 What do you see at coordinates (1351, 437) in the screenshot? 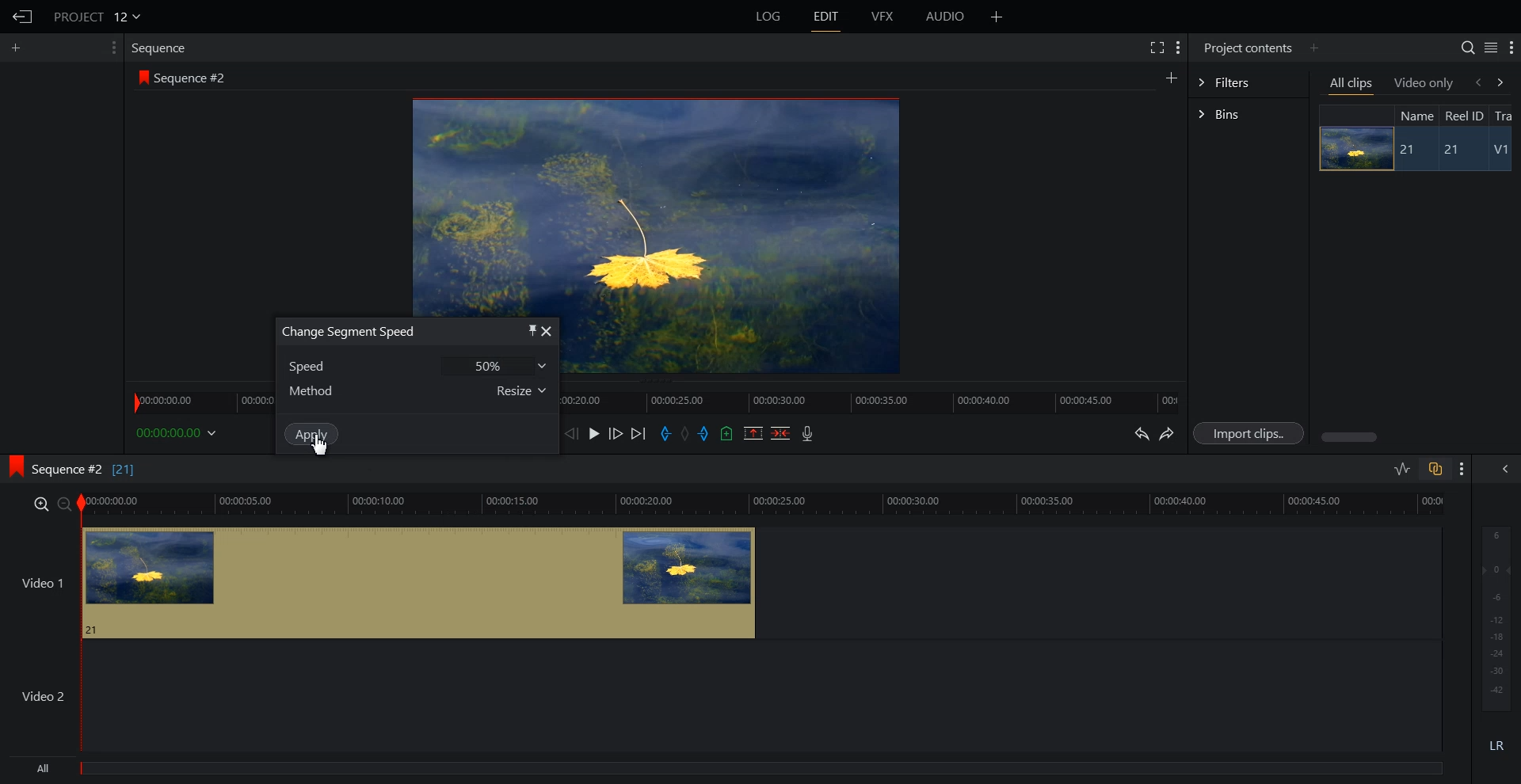
I see `Horizontal scroll bar` at bounding box center [1351, 437].